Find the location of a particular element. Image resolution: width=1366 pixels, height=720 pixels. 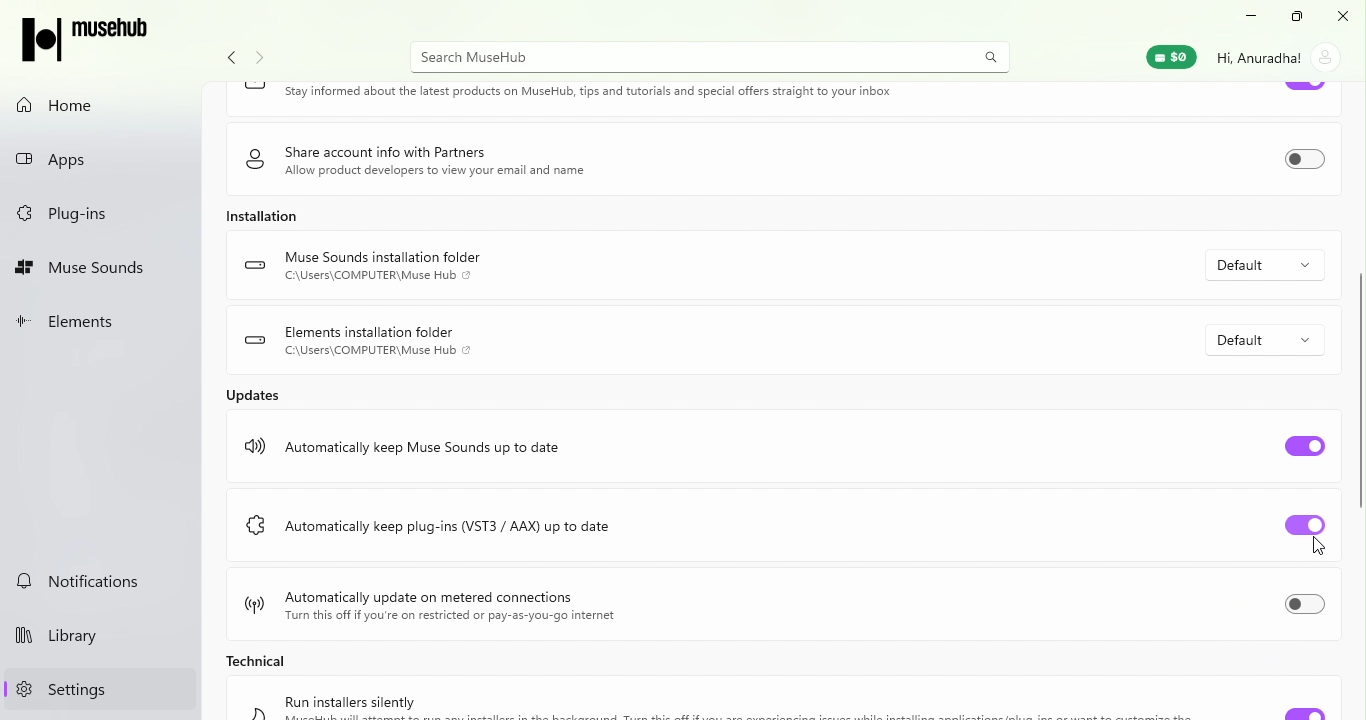

Toggle is located at coordinates (1304, 160).